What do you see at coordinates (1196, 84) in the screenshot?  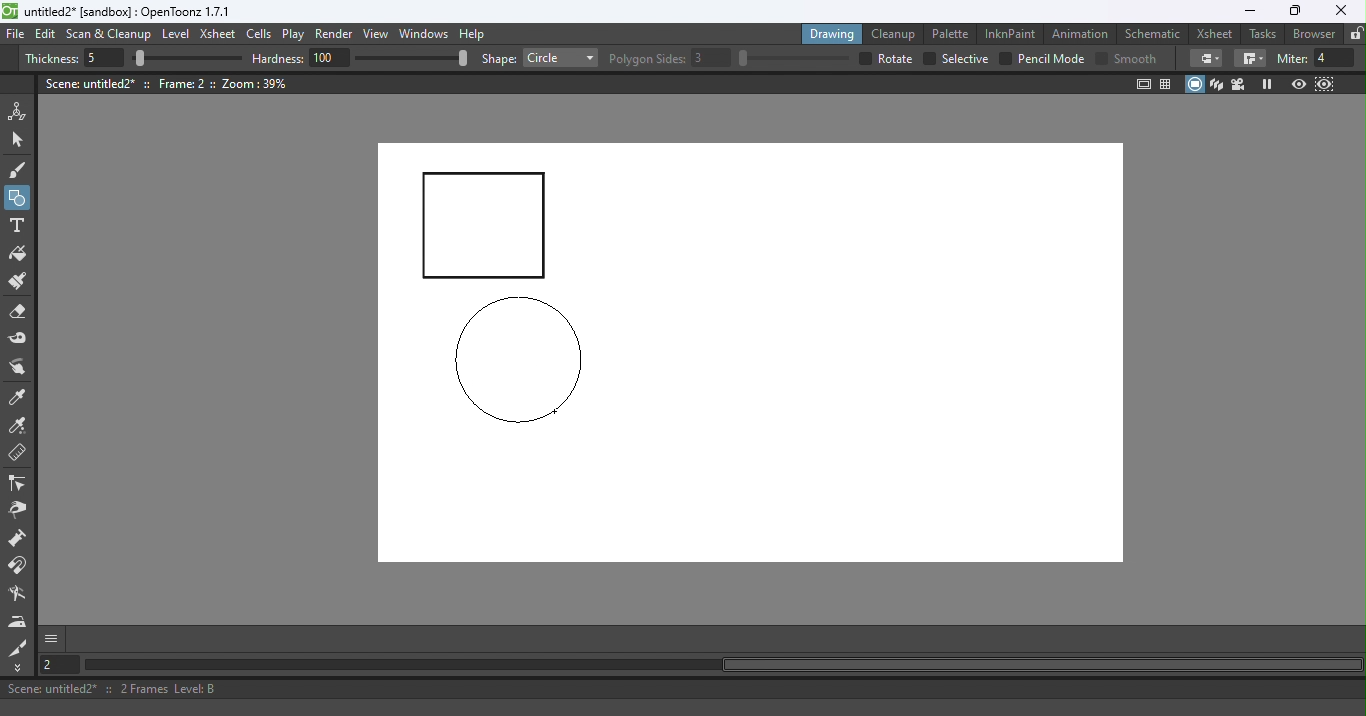 I see `Camera stand view` at bounding box center [1196, 84].